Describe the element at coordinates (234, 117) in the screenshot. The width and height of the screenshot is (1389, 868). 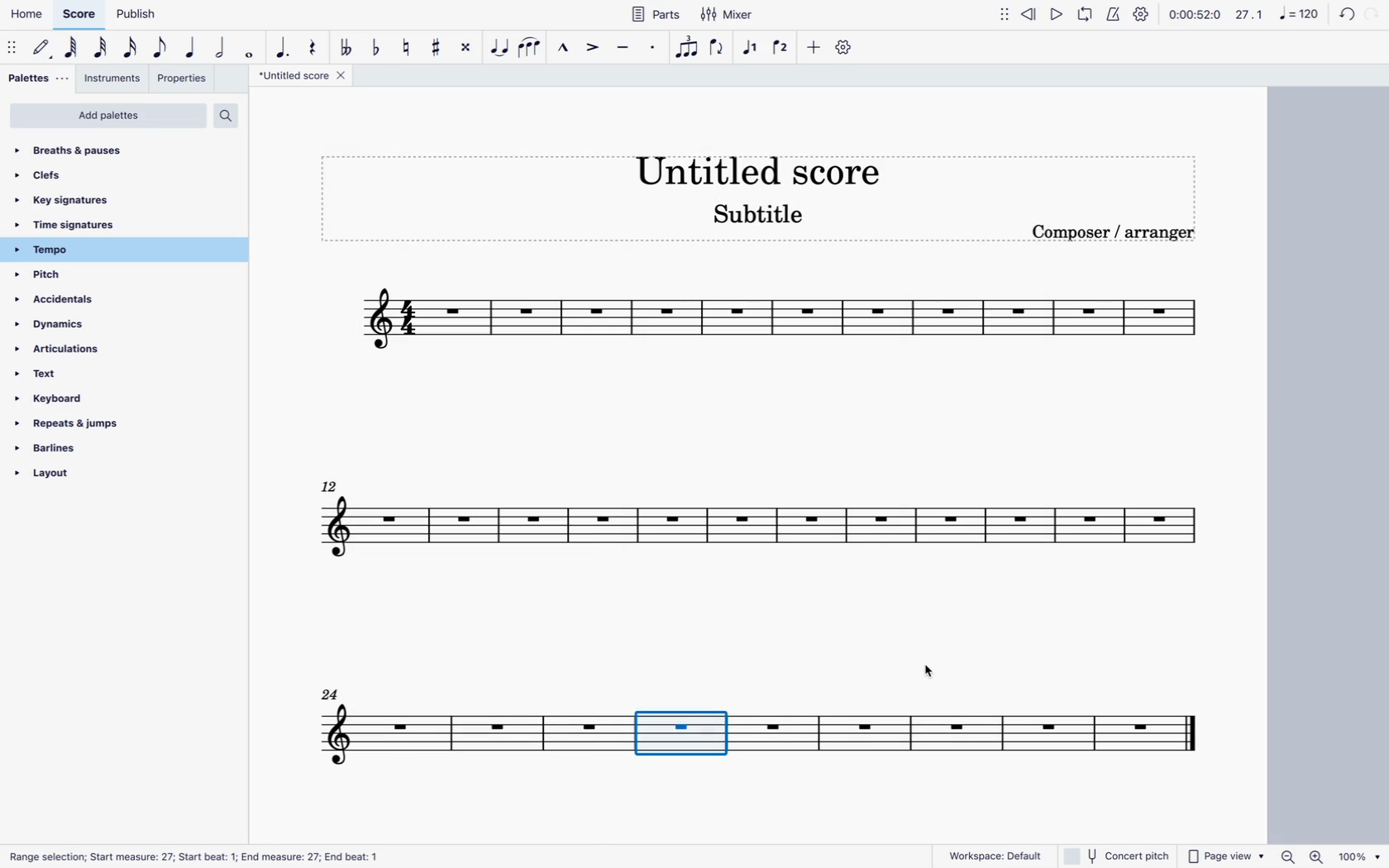
I see `search` at that location.